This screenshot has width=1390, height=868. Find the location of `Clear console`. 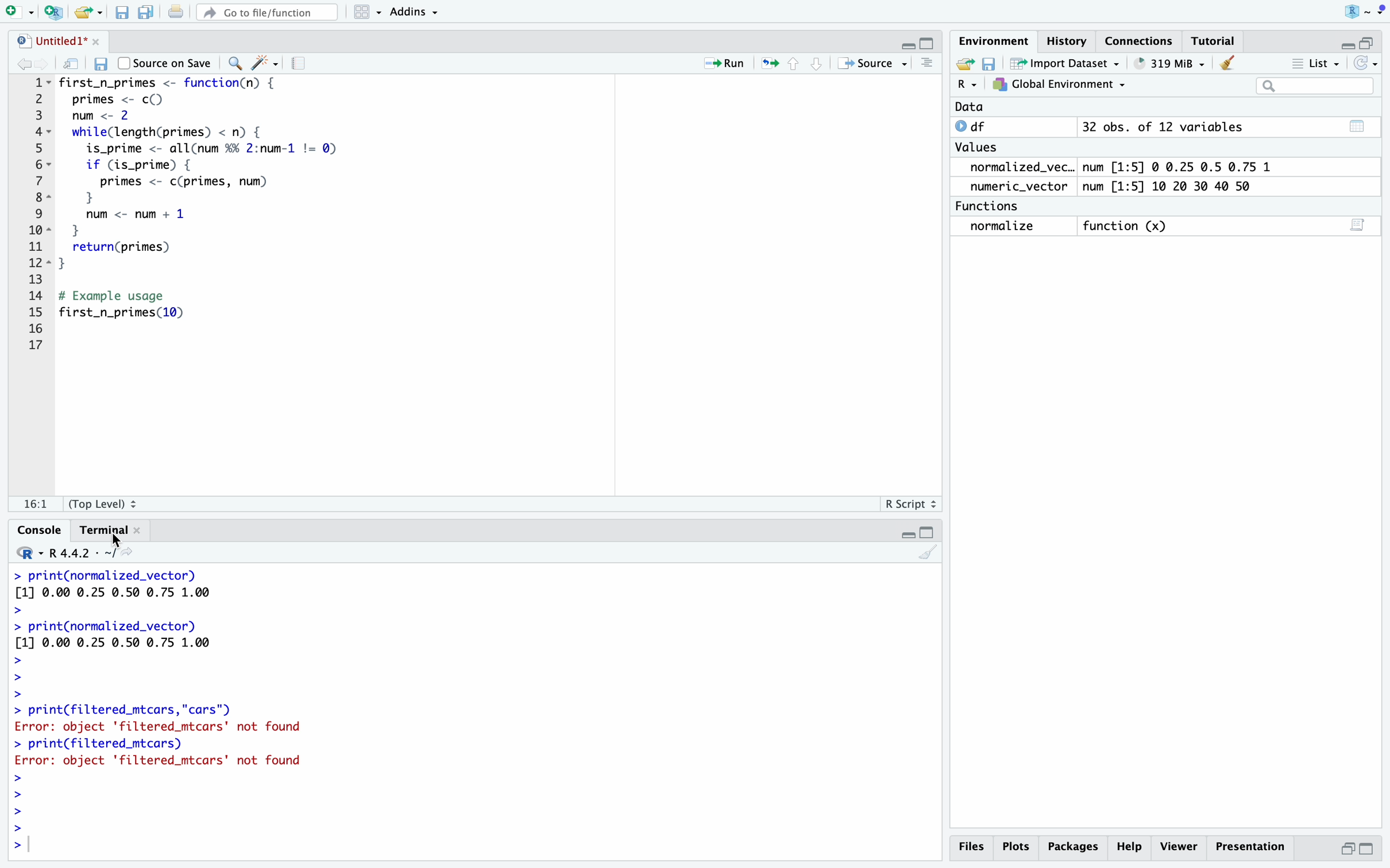

Clear console is located at coordinates (1230, 61).